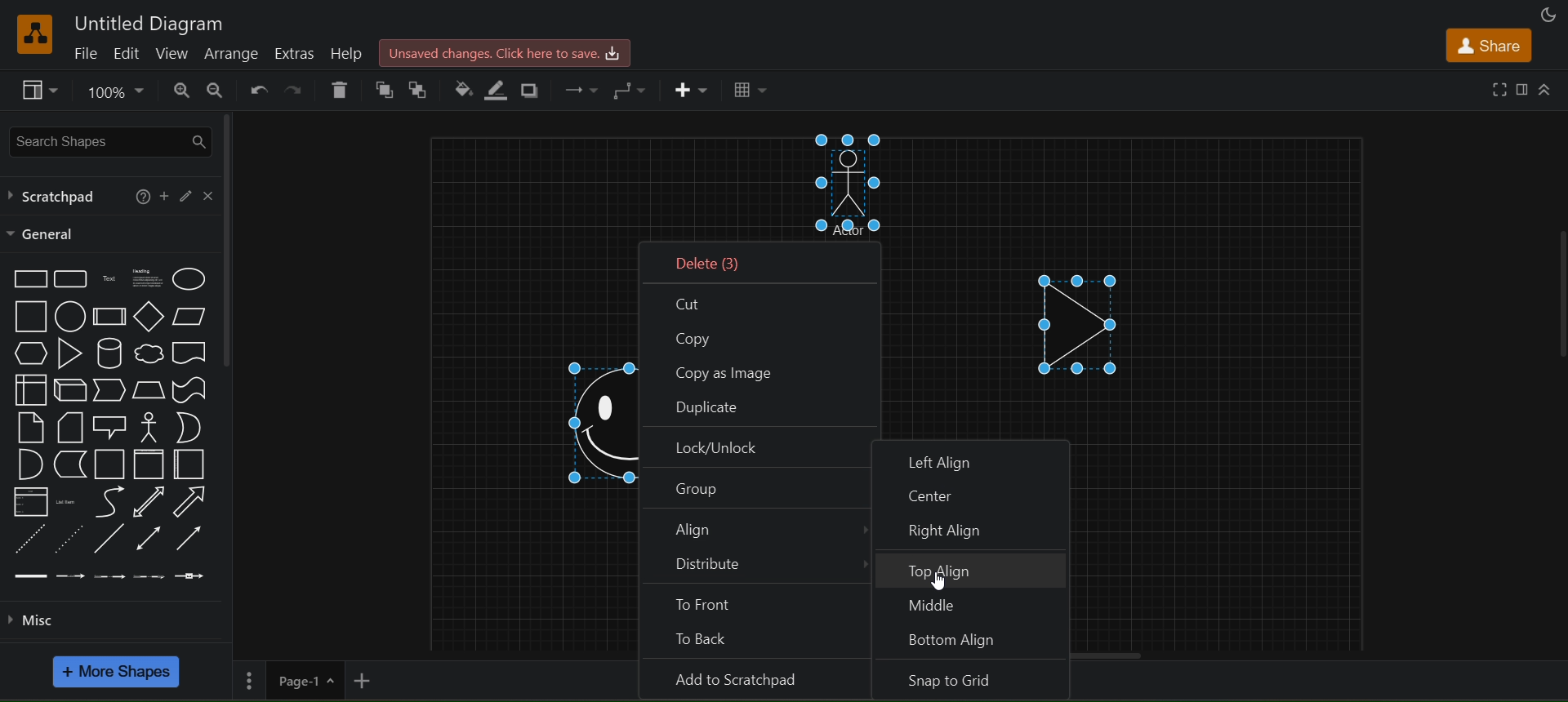  I want to click on format, so click(1522, 88).